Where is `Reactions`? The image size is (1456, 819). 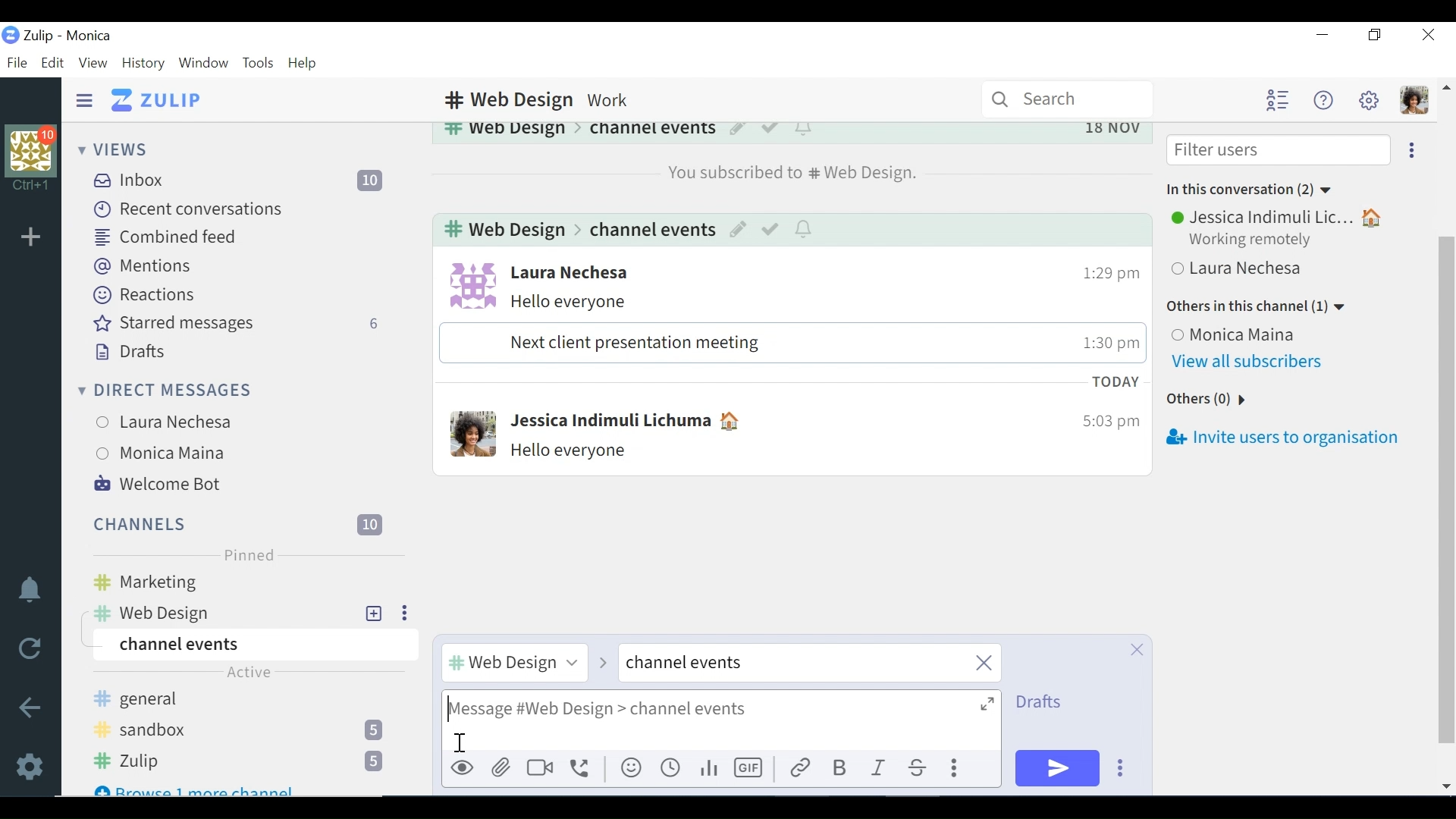 Reactions is located at coordinates (142, 294).